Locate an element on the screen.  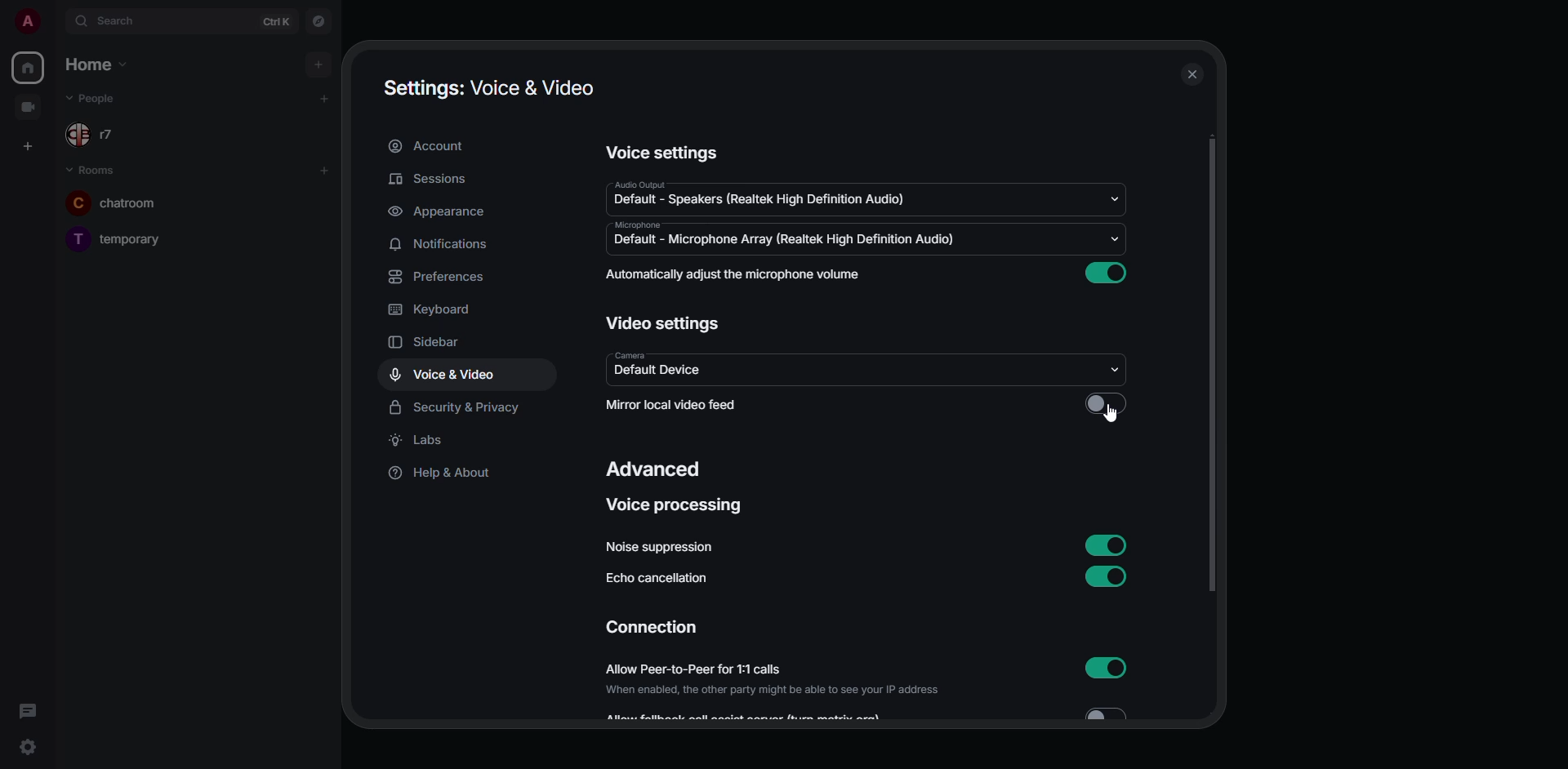
keyboard is located at coordinates (431, 309).